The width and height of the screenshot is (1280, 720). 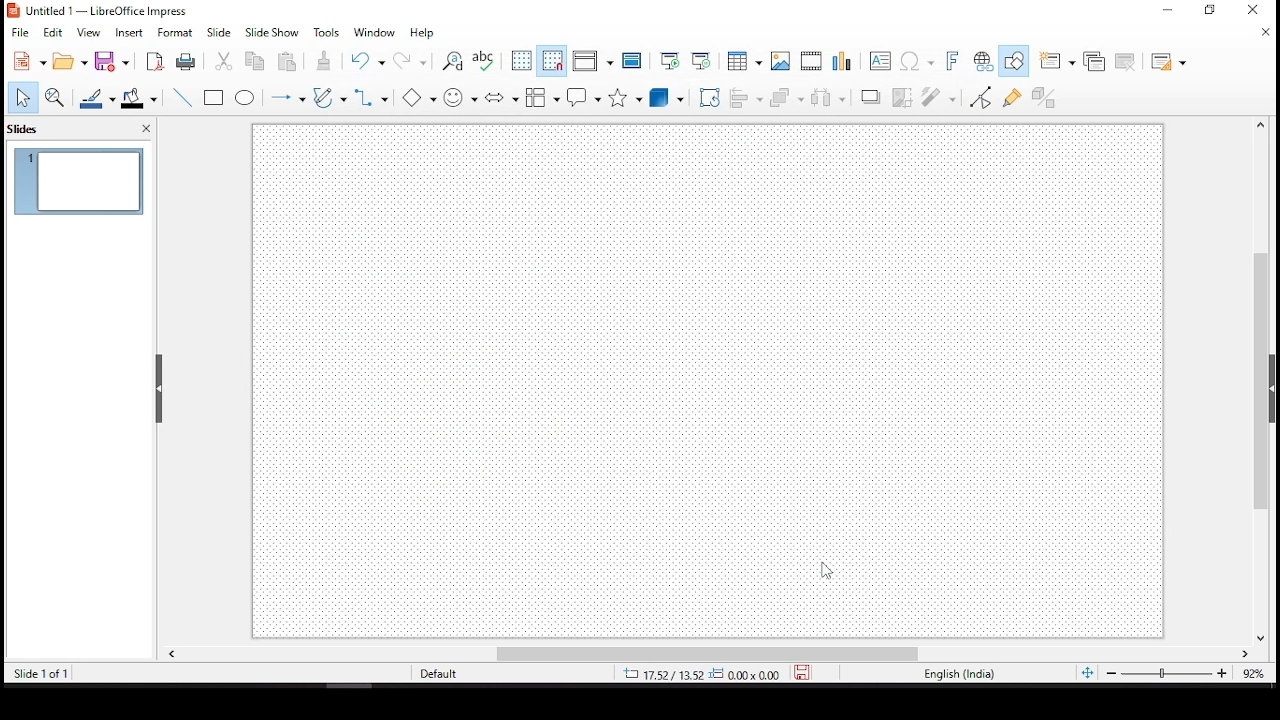 I want to click on align objects, so click(x=745, y=98).